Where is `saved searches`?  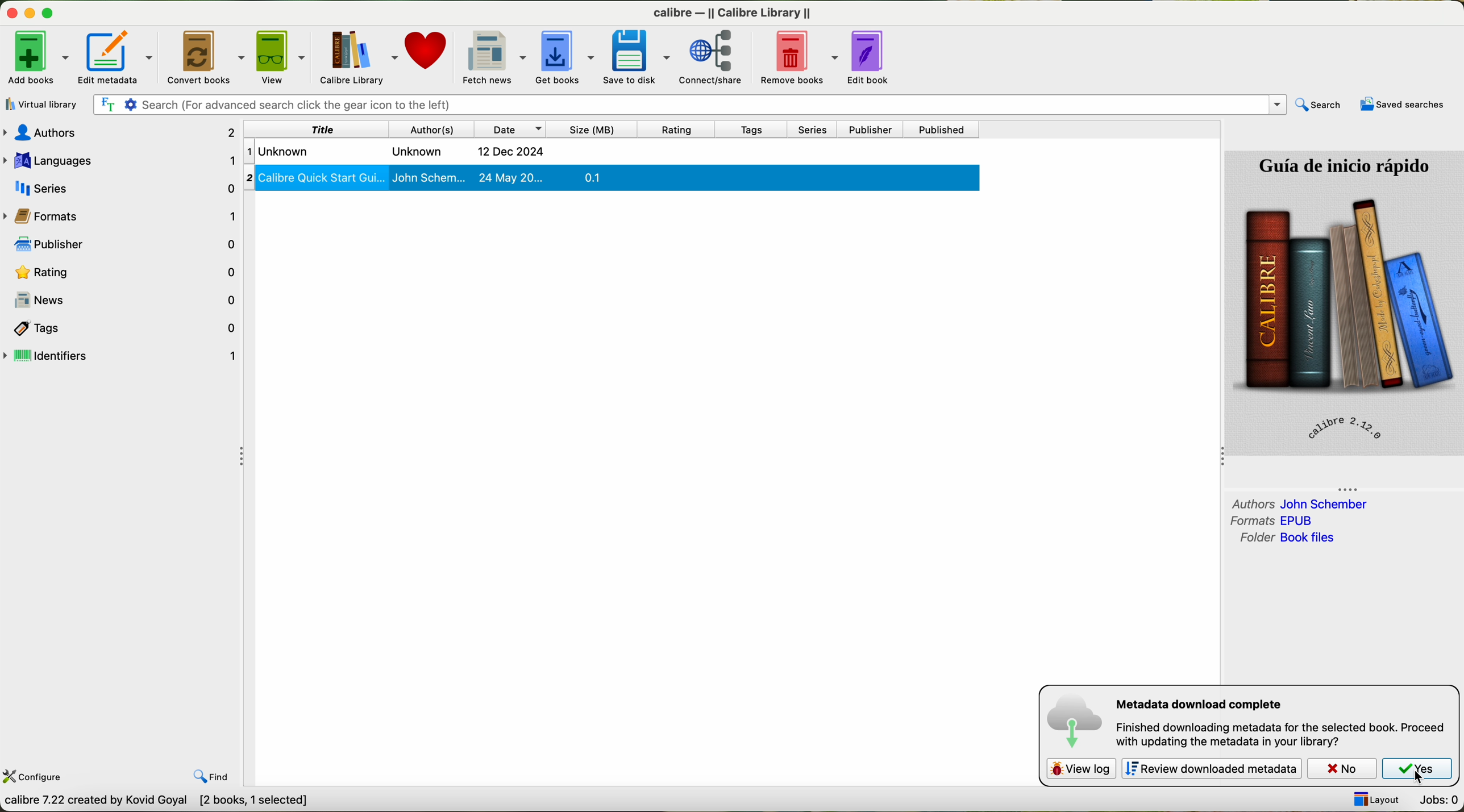
saved searches is located at coordinates (1401, 106).